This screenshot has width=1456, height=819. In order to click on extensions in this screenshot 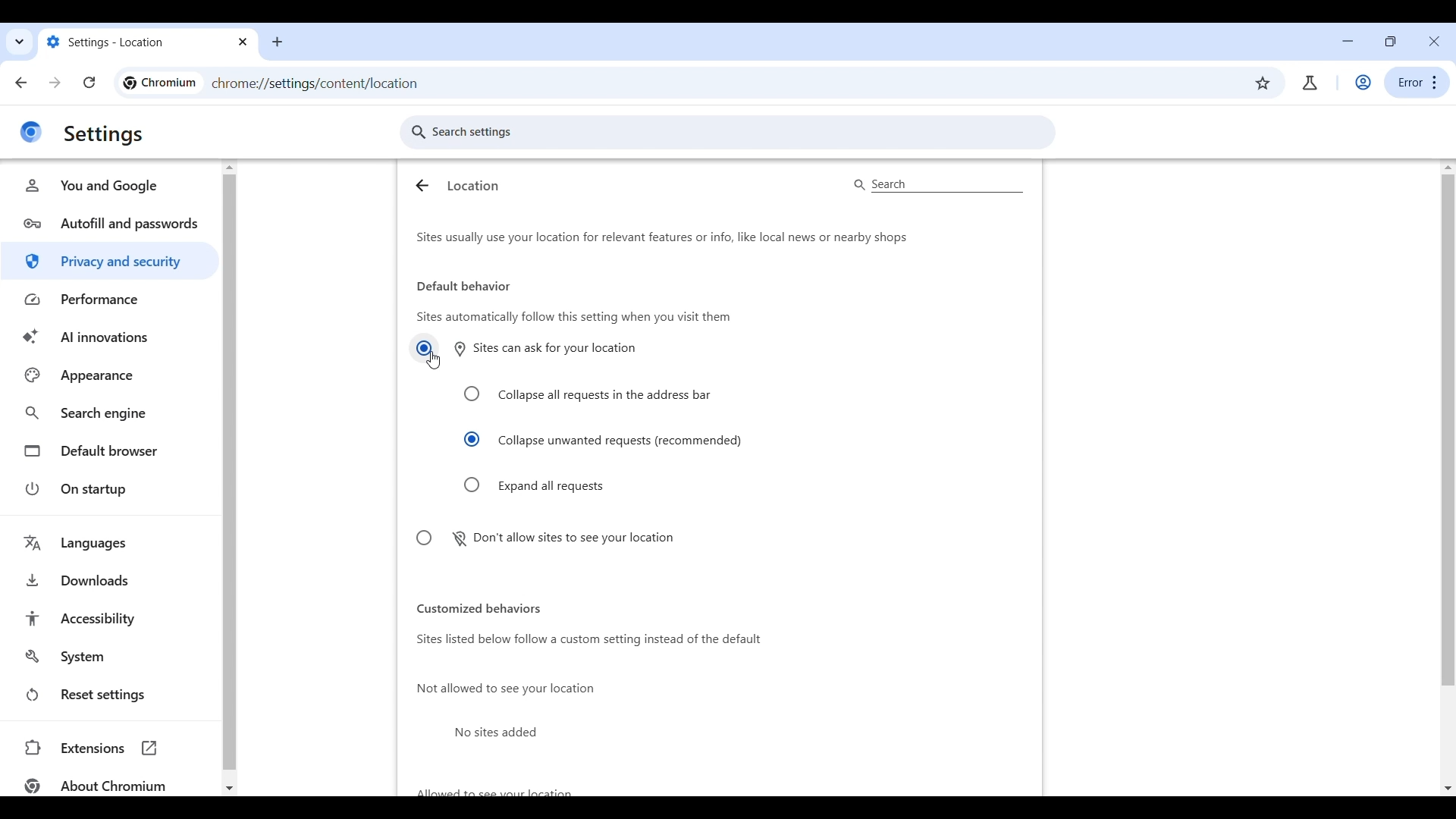, I will do `click(108, 747)`.